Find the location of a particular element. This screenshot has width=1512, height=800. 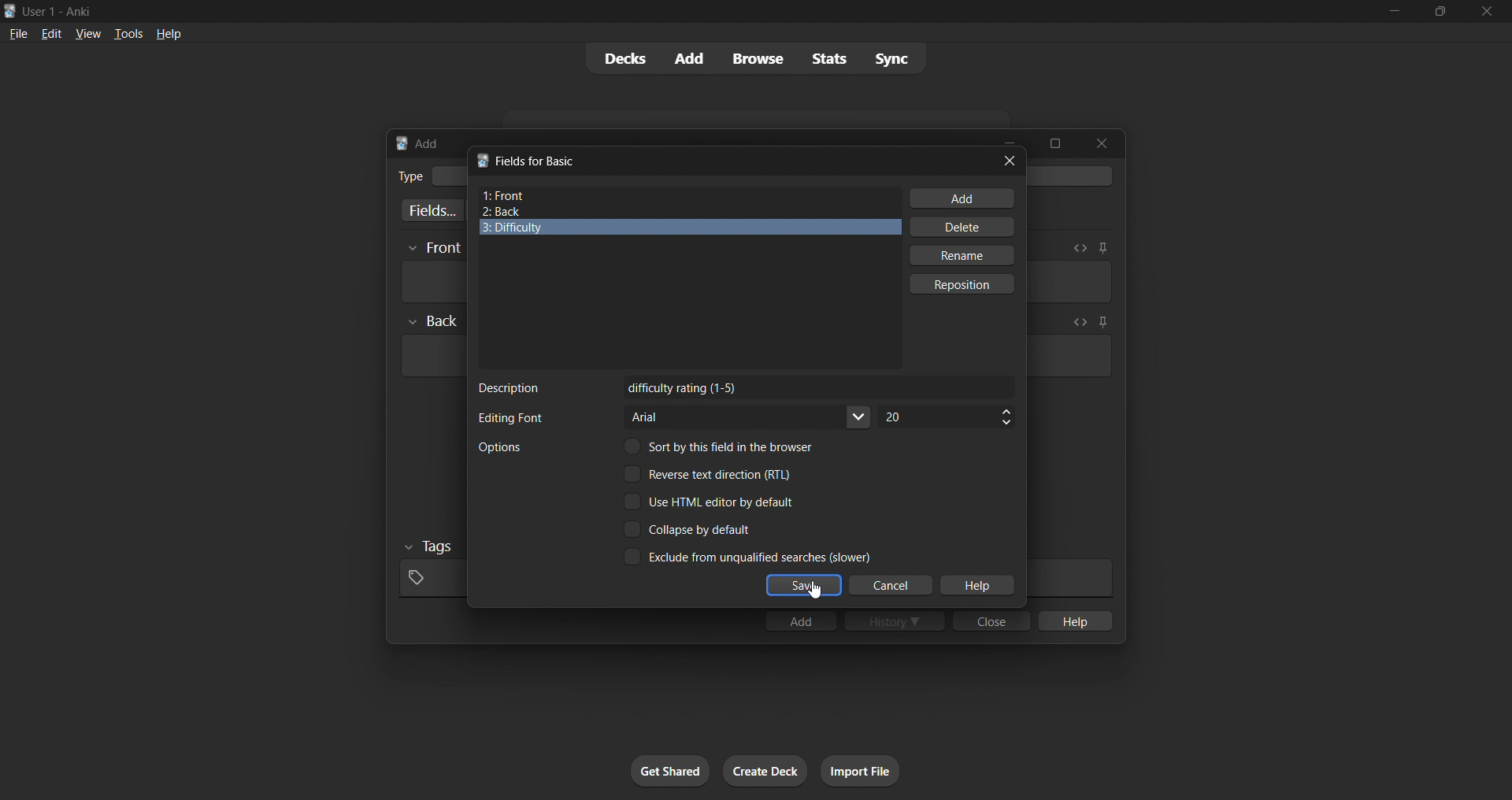

Toggle sticky is located at coordinates (1102, 248).